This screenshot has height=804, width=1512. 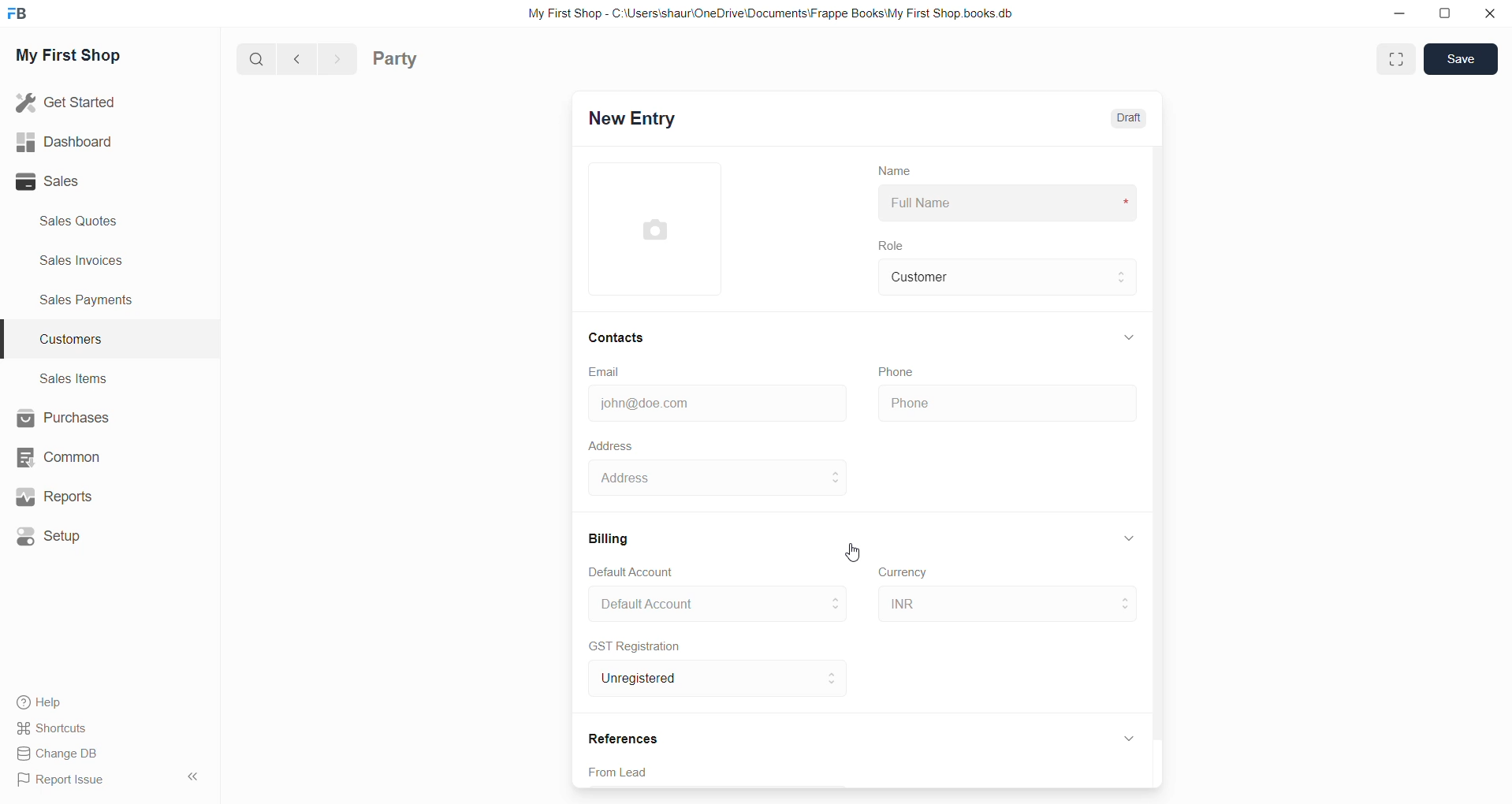 I want to click on minimize, so click(x=1406, y=20).